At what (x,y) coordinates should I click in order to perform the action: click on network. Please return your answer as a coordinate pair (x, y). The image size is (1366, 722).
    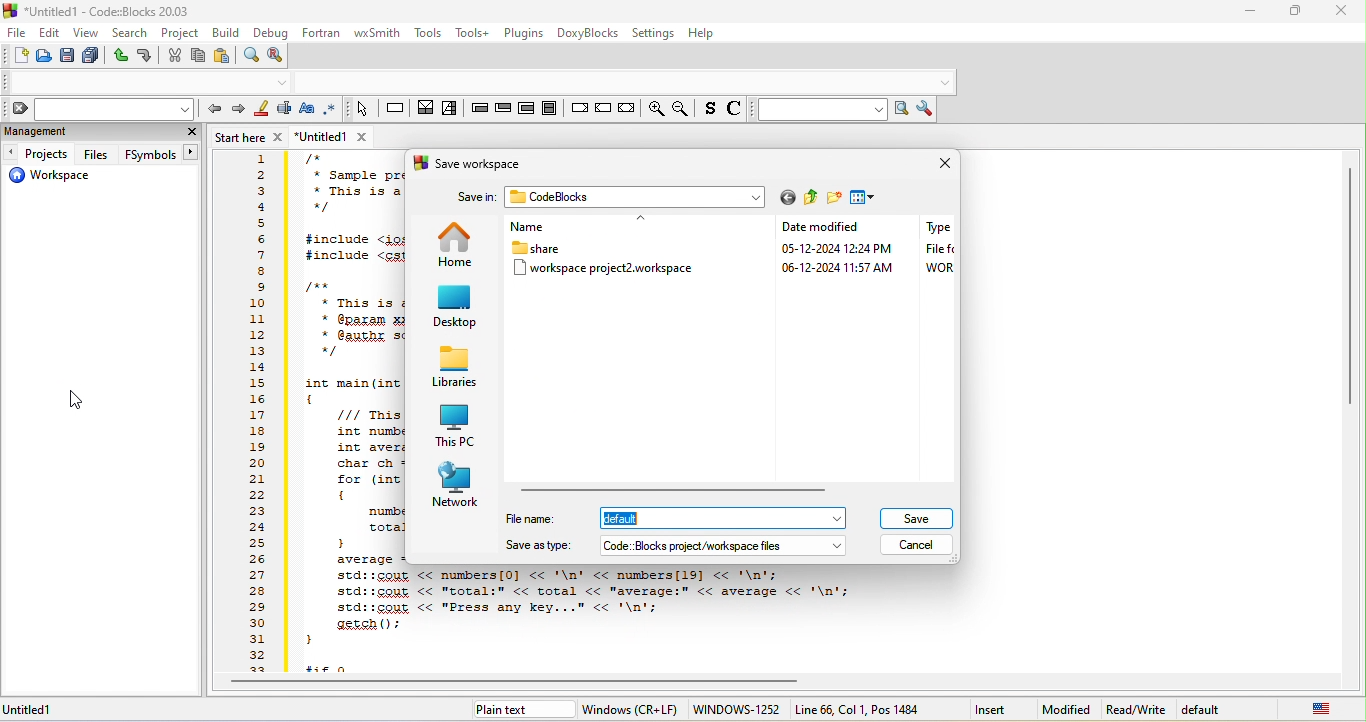
    Looking at the image, I should click on (457, 486).